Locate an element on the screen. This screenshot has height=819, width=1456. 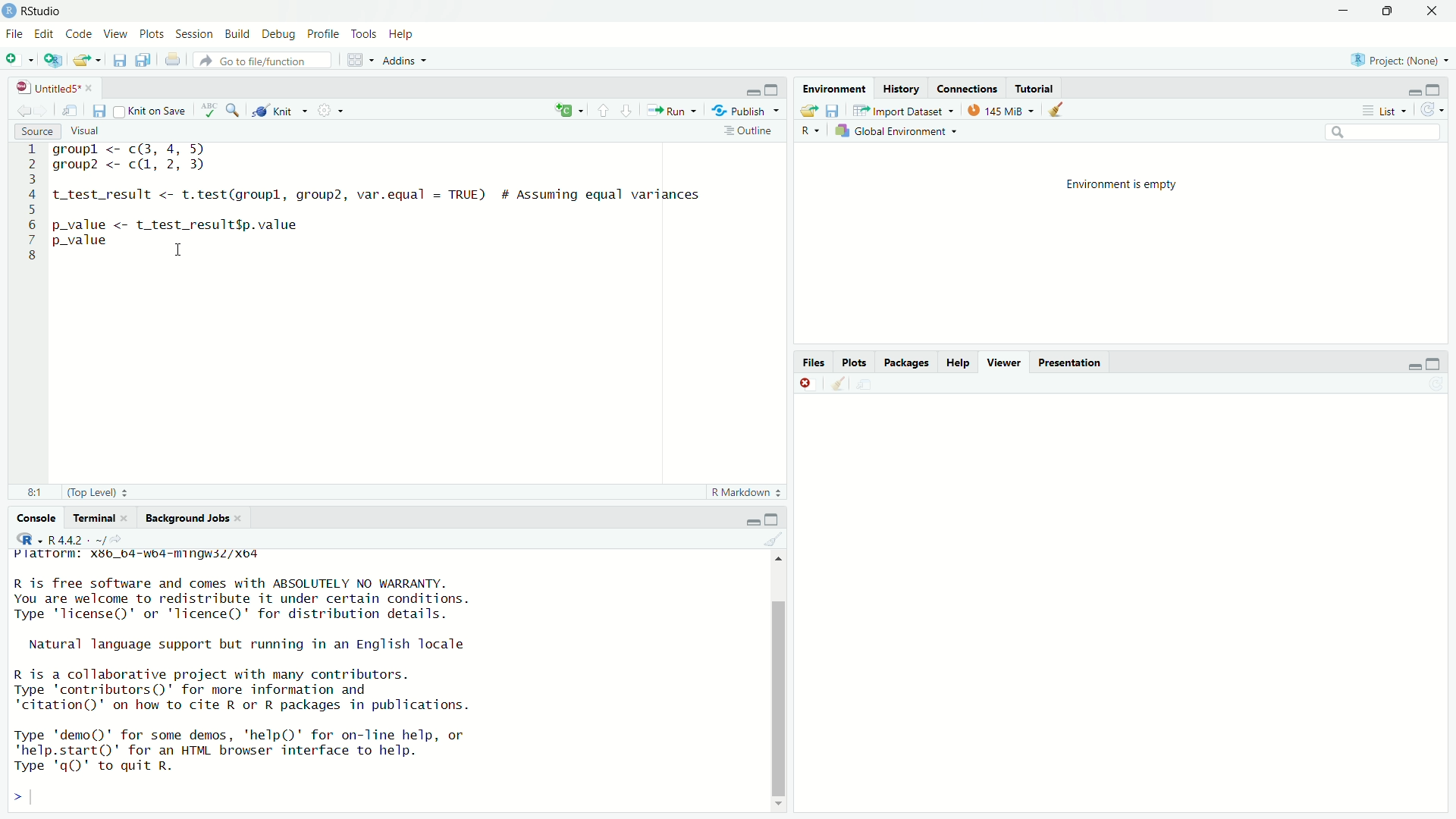
code line is located at coordinates (31, 202).